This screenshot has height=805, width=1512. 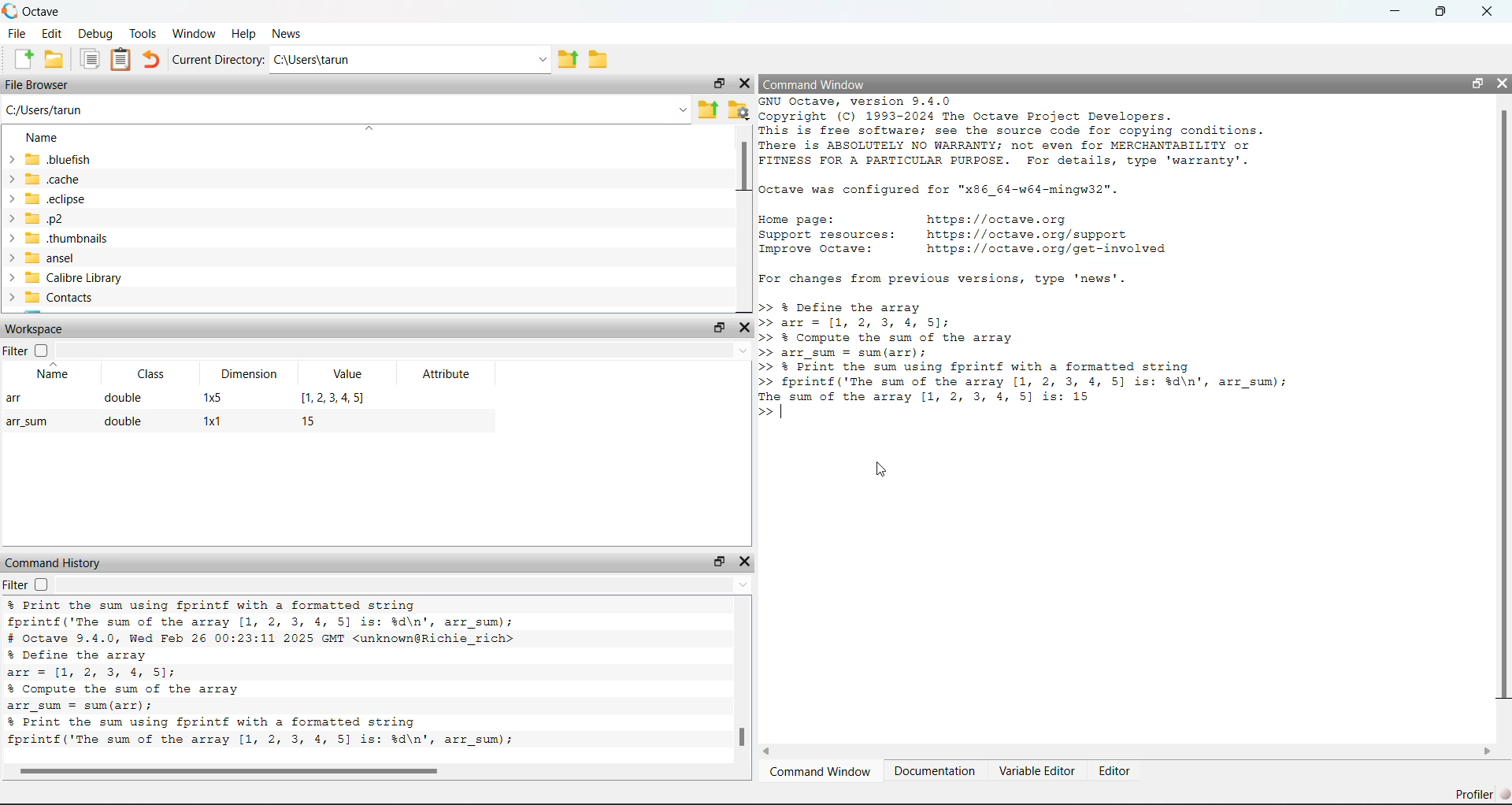 I want to click on , so click(x=232, y=770).